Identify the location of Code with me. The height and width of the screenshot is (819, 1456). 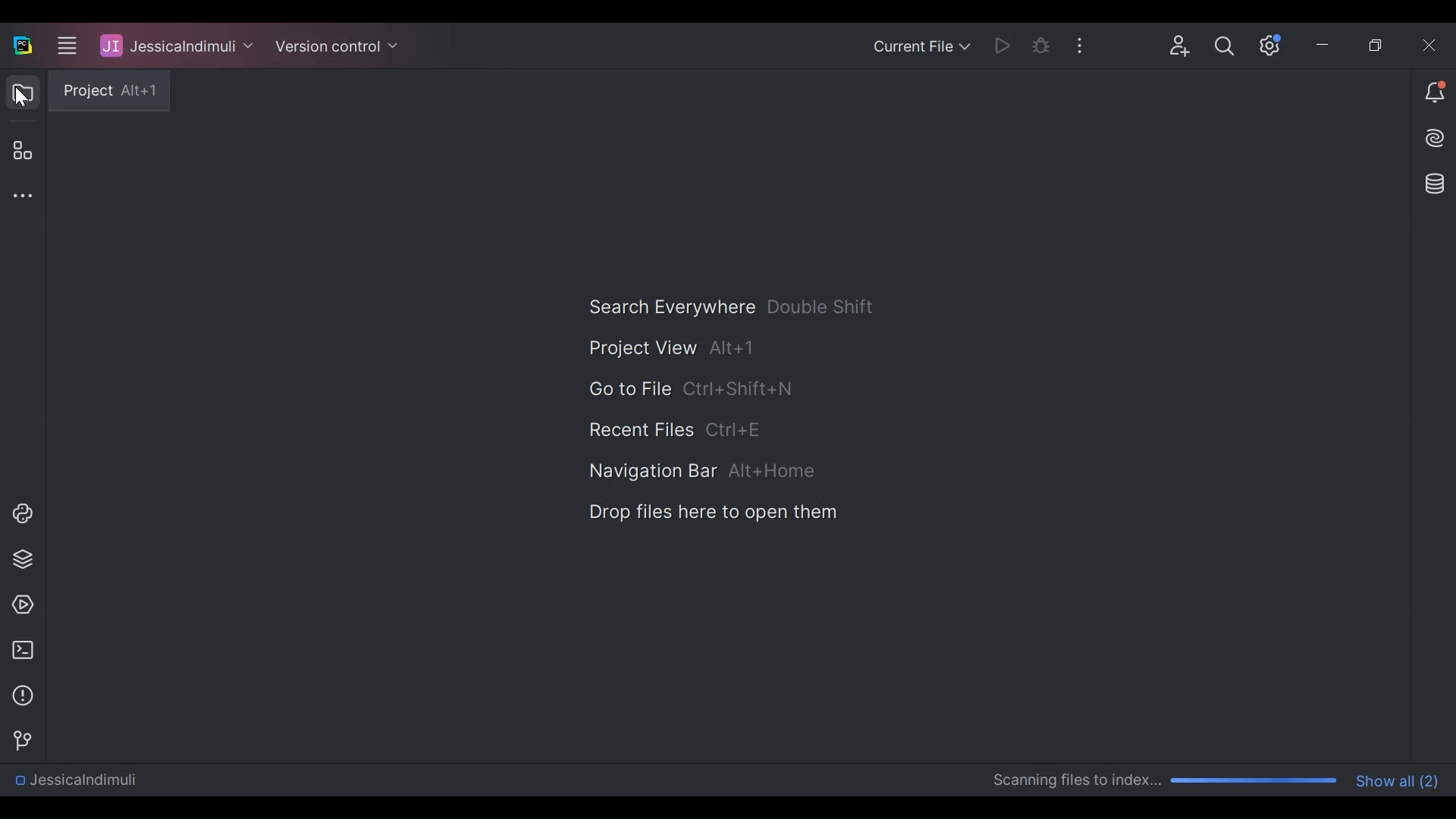
(1178, 44).